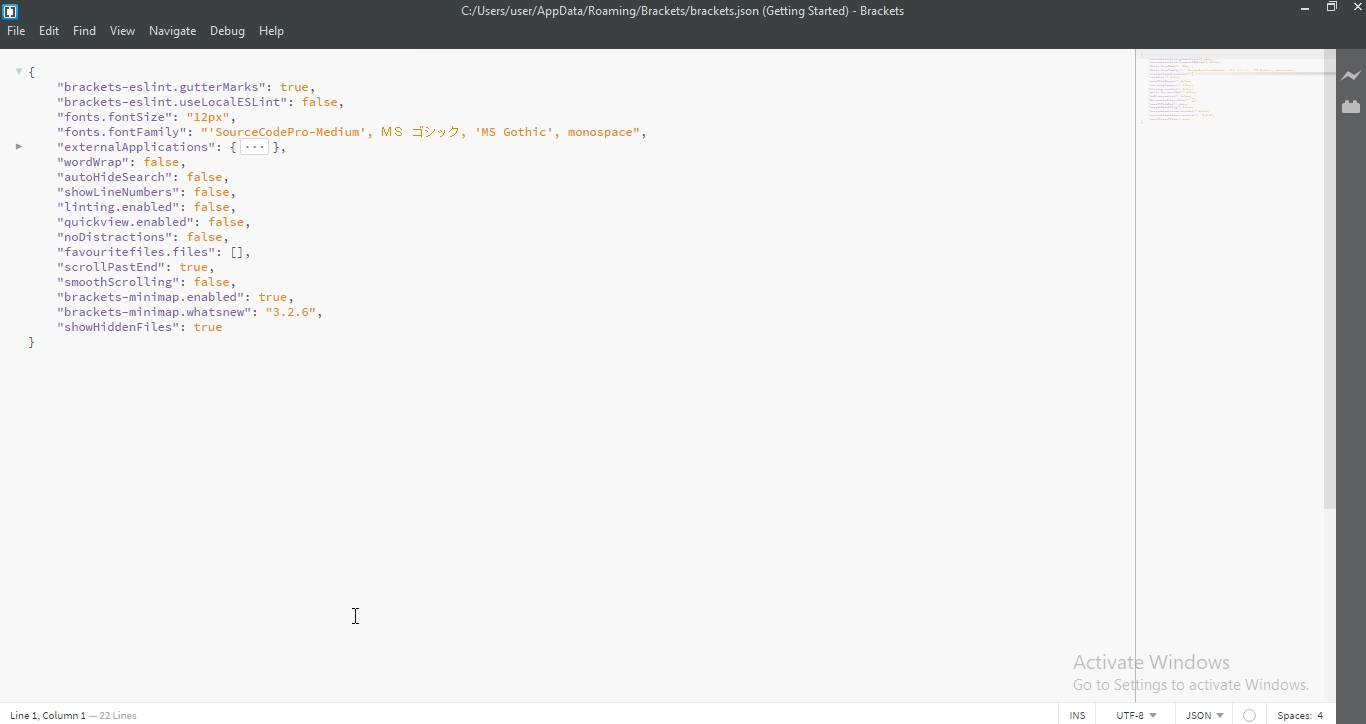 Image resolution: width=1366 pixels, height=724 pixels. What do you see at coordinates (1352, 110) in the screenshot?
I see `Extension Manager` at bounding box center [1352, 110].